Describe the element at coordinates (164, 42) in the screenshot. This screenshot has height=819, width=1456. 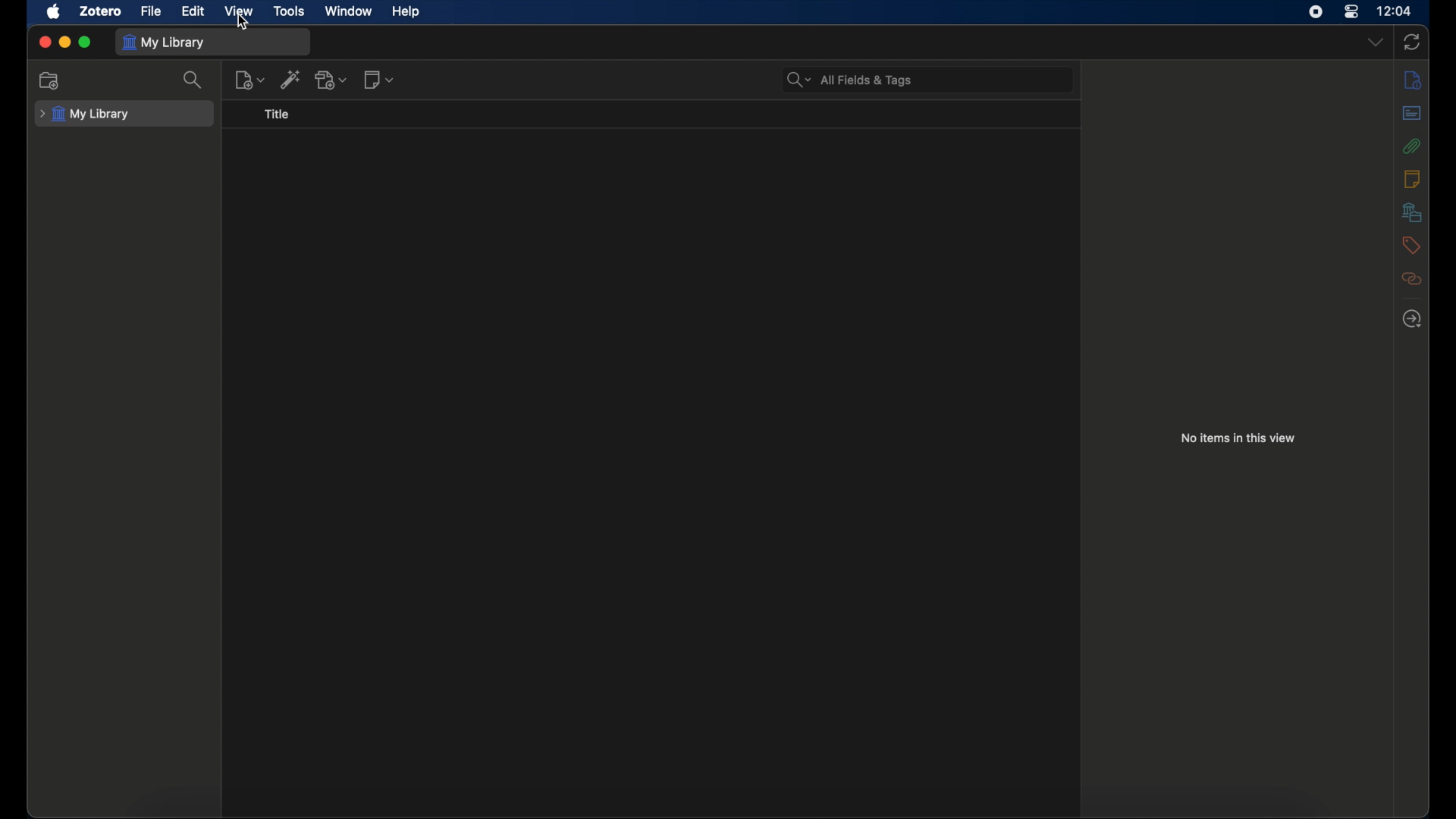
I see `my library` at that location.